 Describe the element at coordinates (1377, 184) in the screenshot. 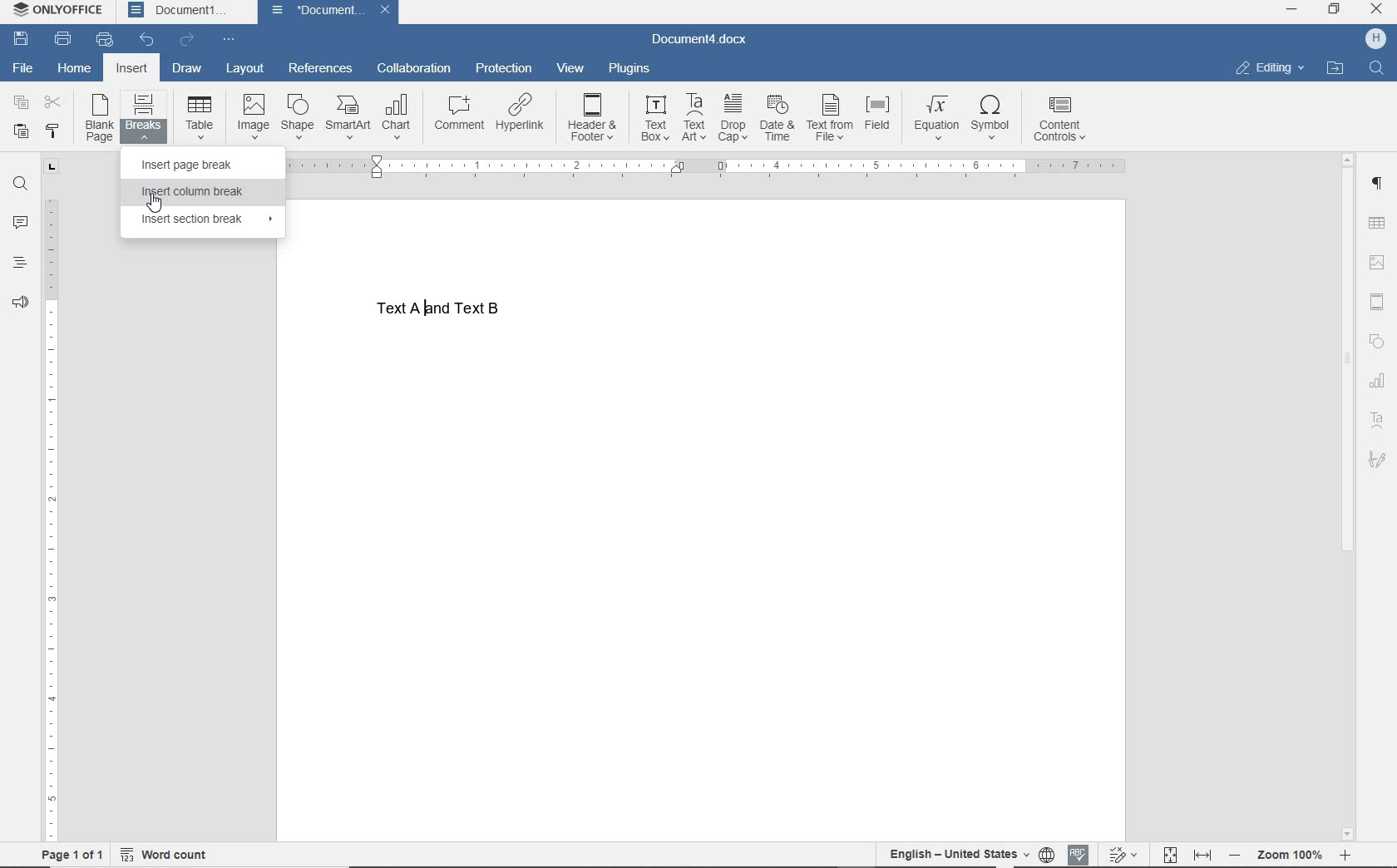

I see `PARAGRAPH SETTINGS` at that location.